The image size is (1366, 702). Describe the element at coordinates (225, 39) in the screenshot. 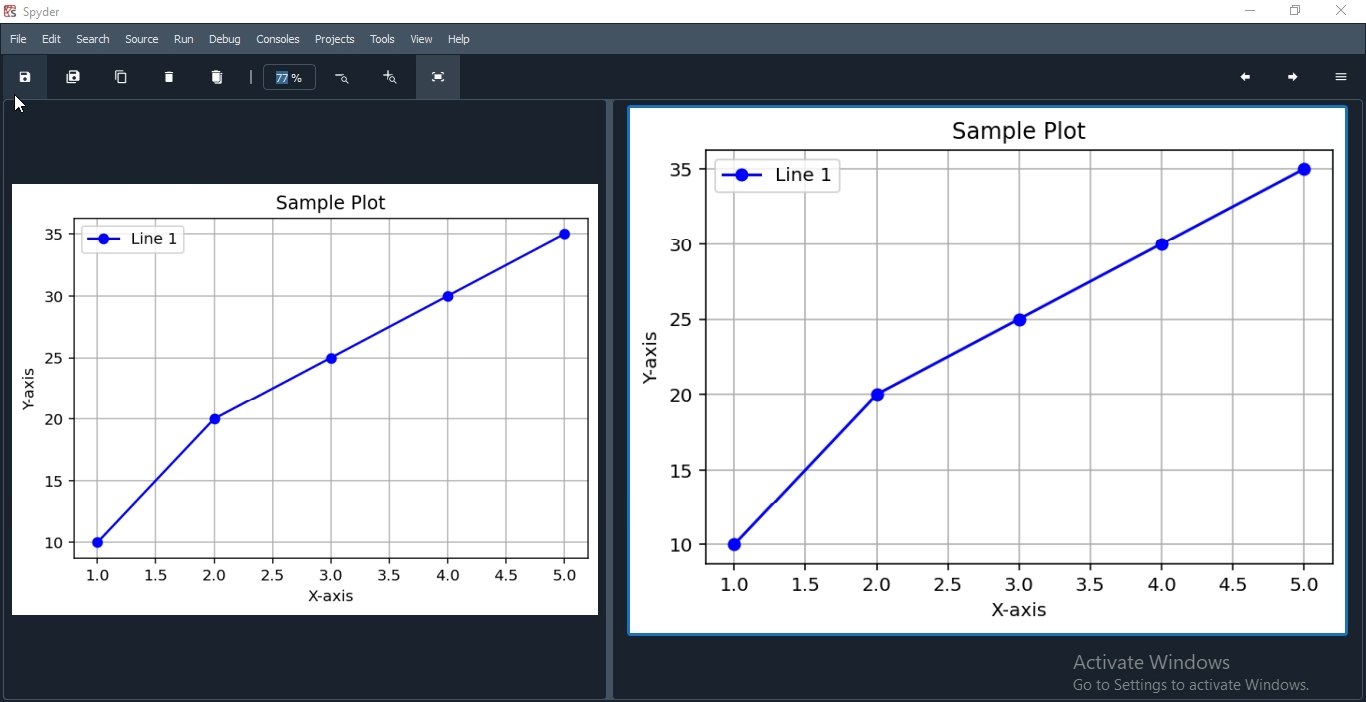

I see `Debug` at that location.